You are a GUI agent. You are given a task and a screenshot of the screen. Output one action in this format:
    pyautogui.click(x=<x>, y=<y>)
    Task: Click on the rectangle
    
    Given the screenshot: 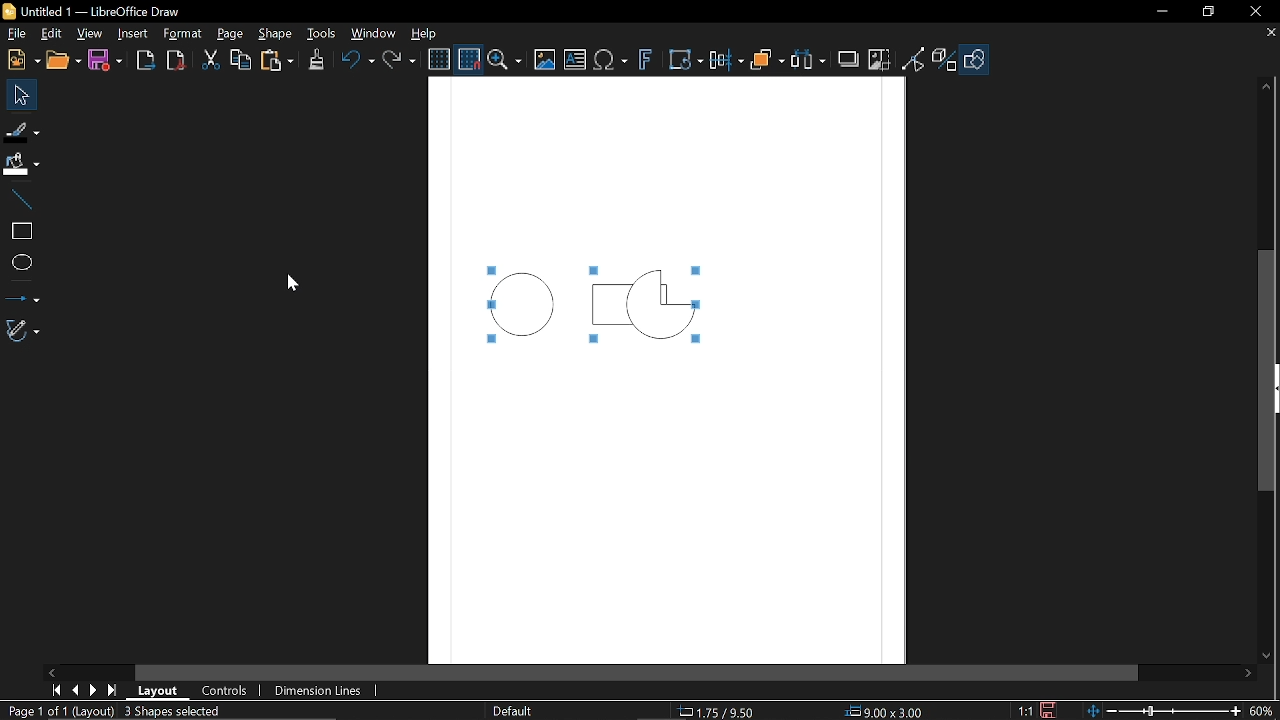 What is the action you would take?
    pyautogui.click(x=18, y=228)
    